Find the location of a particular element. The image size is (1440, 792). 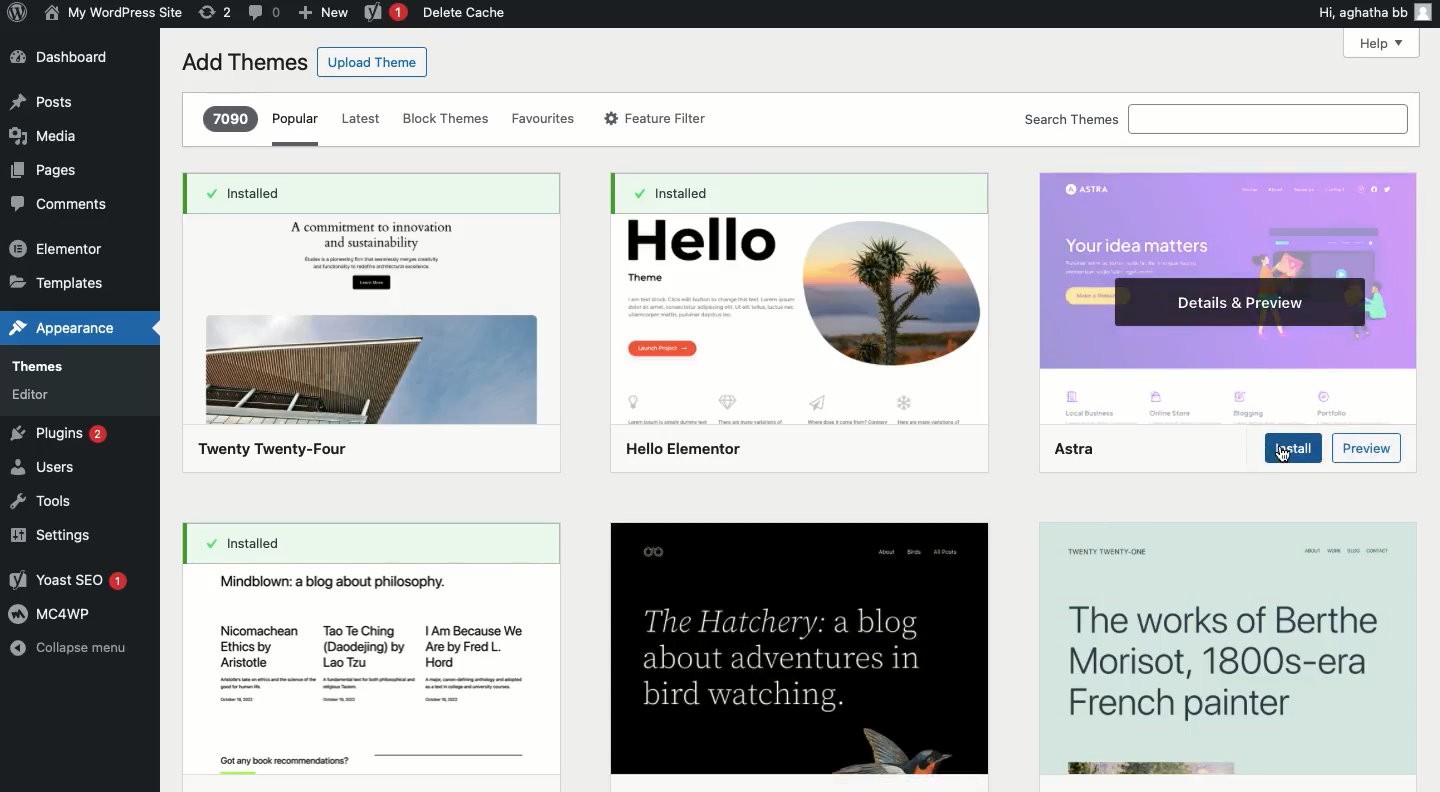

Help is located at coordinates (1385, 44).